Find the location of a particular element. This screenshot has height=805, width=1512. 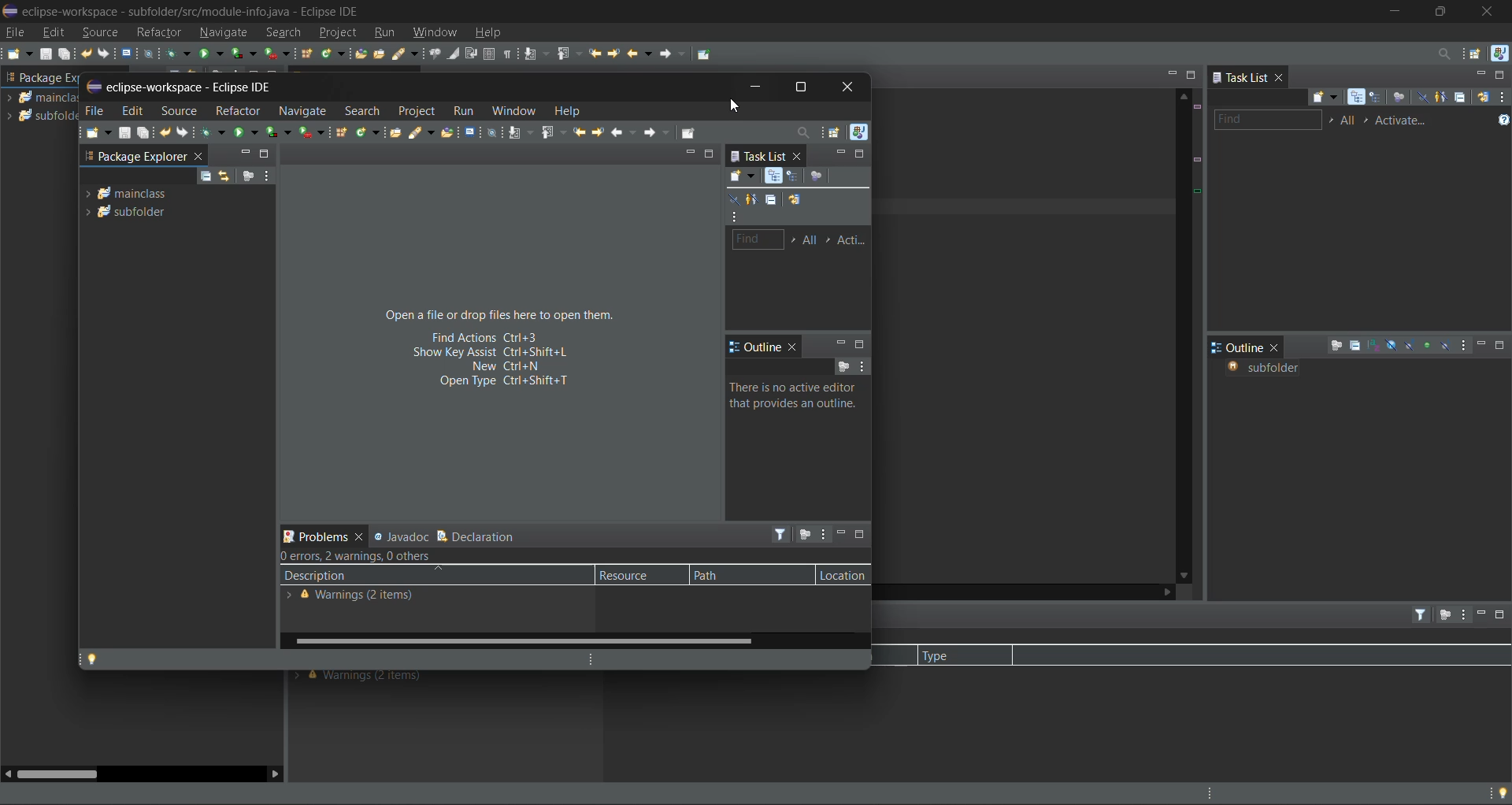

refractor is located at coordinates (236, 110).